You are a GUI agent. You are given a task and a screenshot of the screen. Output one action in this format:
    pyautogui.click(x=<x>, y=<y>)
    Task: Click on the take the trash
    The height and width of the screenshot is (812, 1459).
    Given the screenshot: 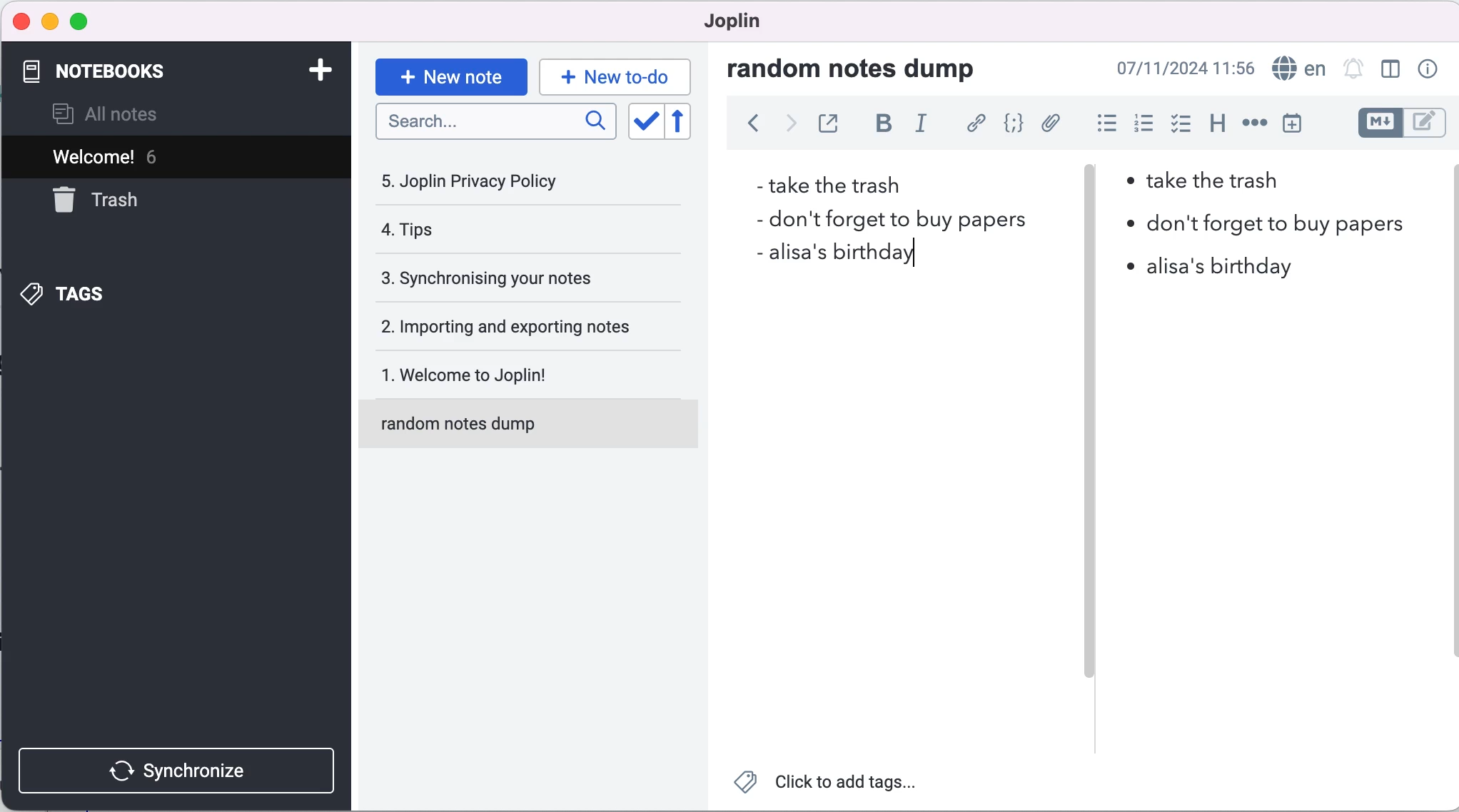 What is the action you would take?
    pyautogui.click(x=832, y=184)
    